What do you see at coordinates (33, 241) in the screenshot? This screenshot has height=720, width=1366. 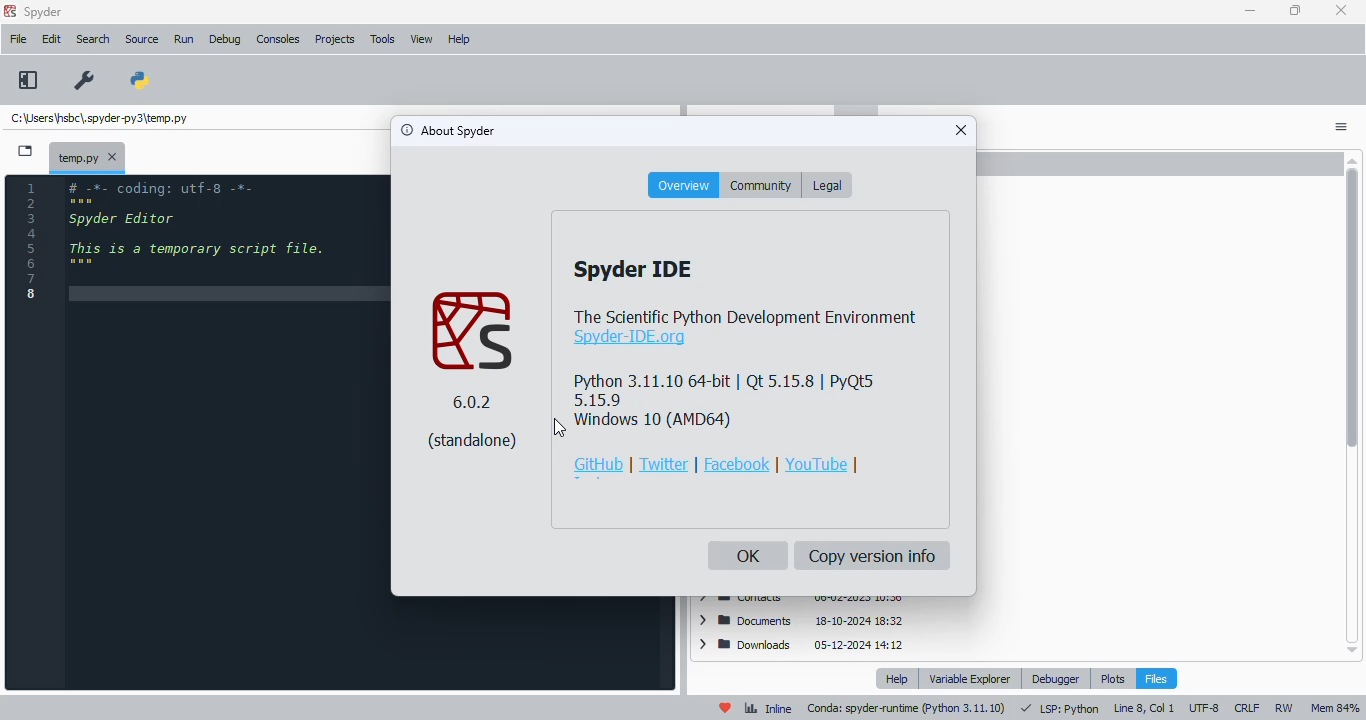 I see `line numbers` at bounding box center [33, 241].